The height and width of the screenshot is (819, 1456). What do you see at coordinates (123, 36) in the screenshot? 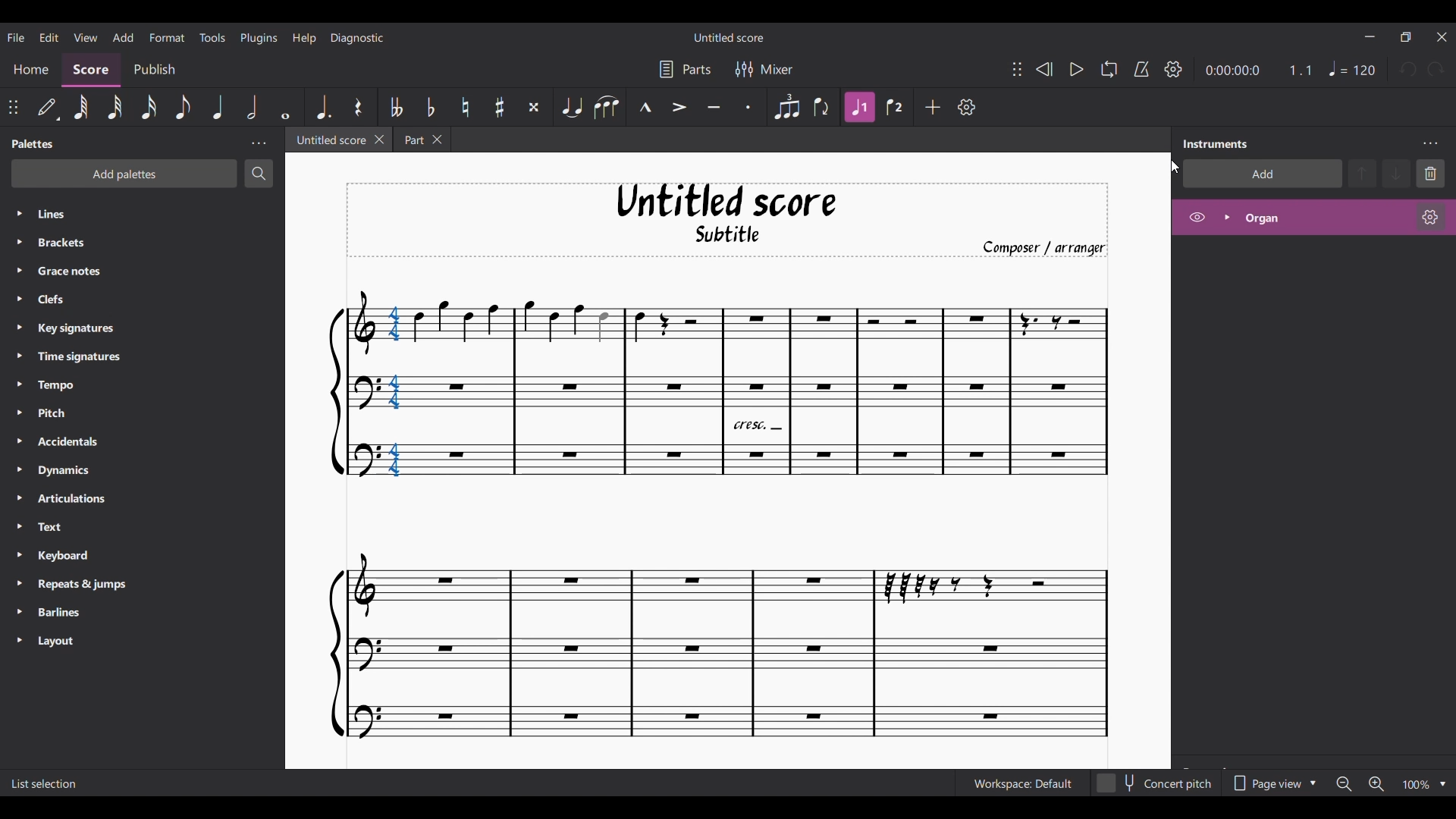
I see `Add menu` at bounding box center [123, 36].